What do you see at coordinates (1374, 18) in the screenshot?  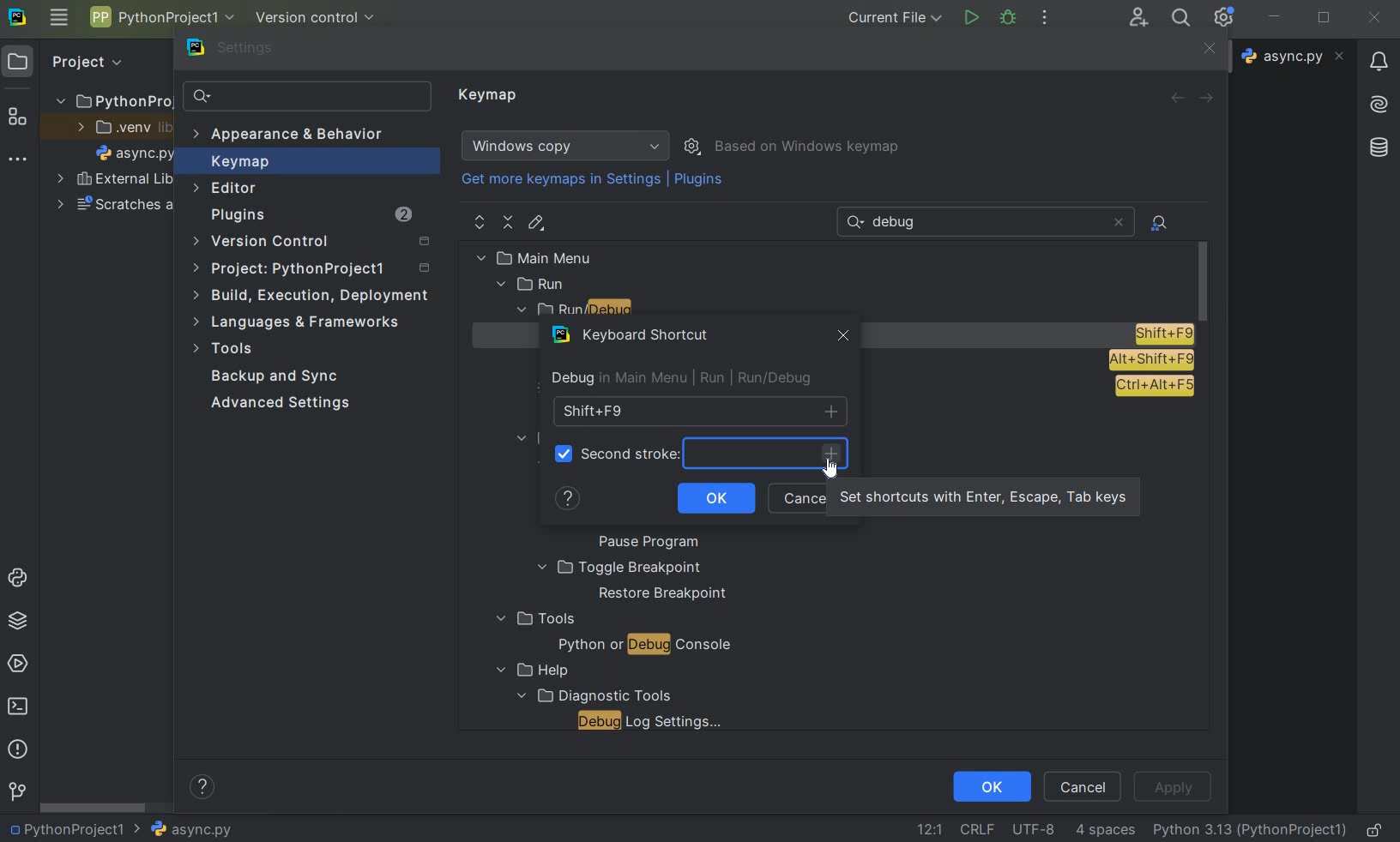 I see `close` at bounding box center [1374, 18].